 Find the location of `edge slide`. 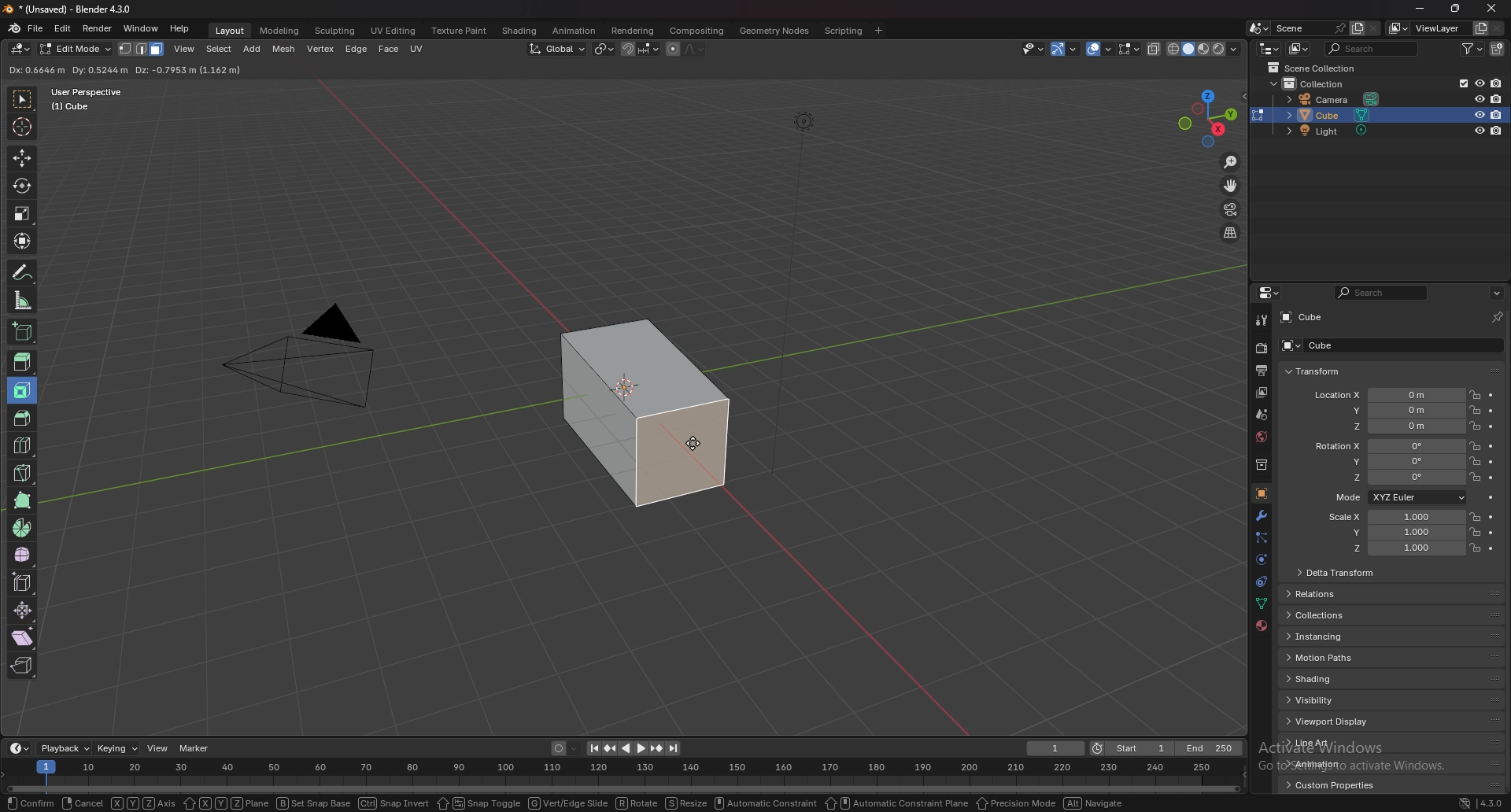

edge slide is located at coordinates (24, 582).